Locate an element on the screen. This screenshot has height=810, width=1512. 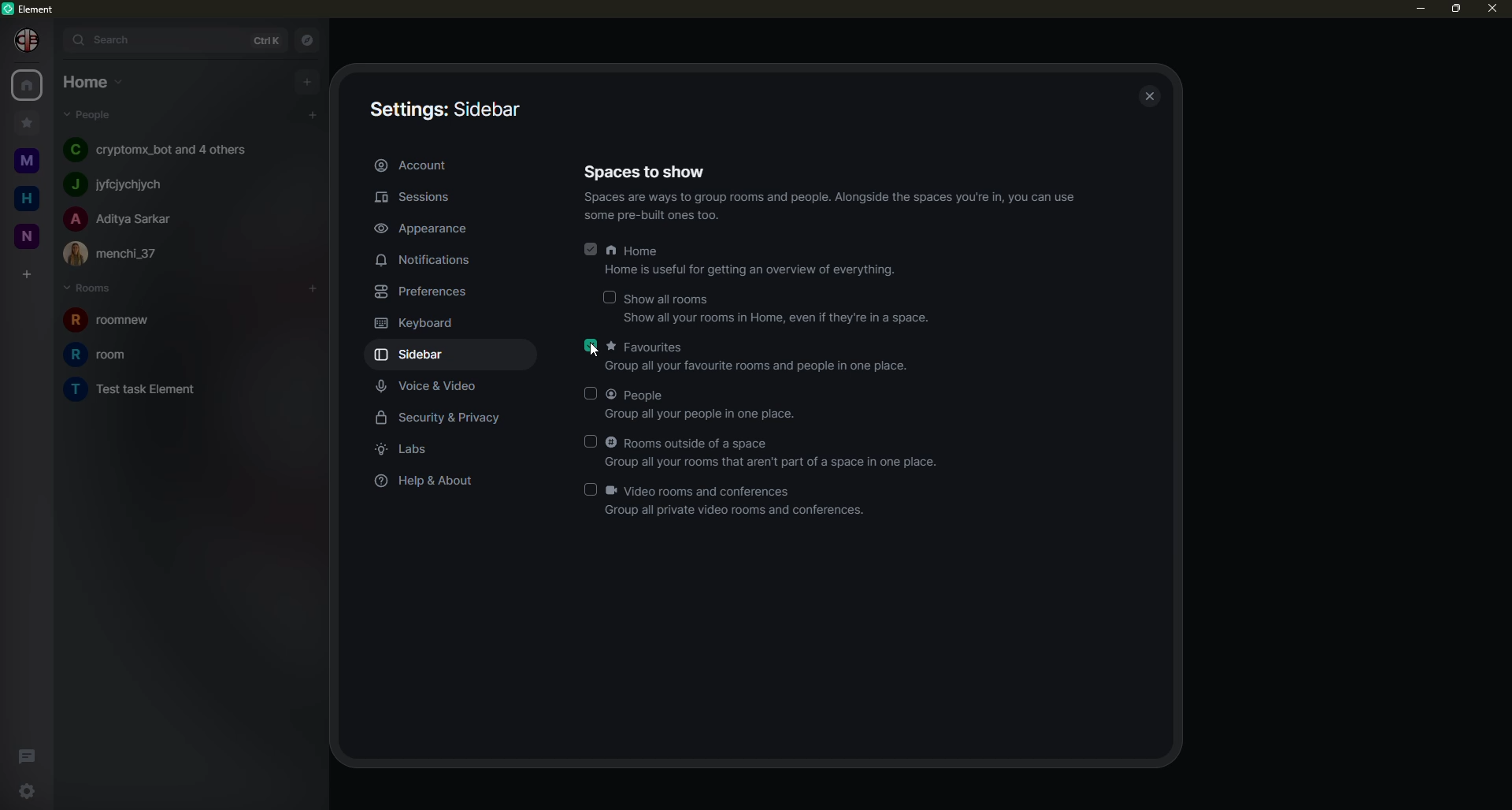
people is located at coordinates (124, 218).